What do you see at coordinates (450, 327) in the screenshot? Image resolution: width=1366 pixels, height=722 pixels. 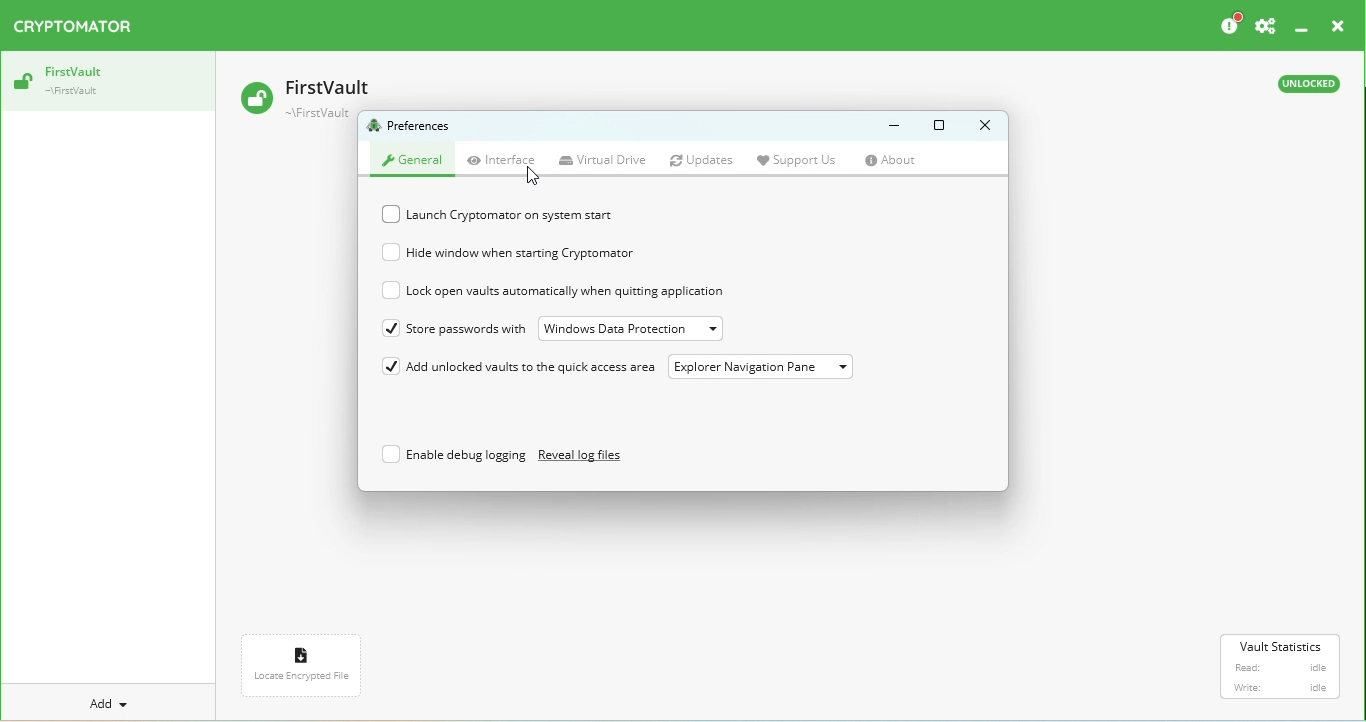 I see `Store password with` at bounding box center [450, 327].